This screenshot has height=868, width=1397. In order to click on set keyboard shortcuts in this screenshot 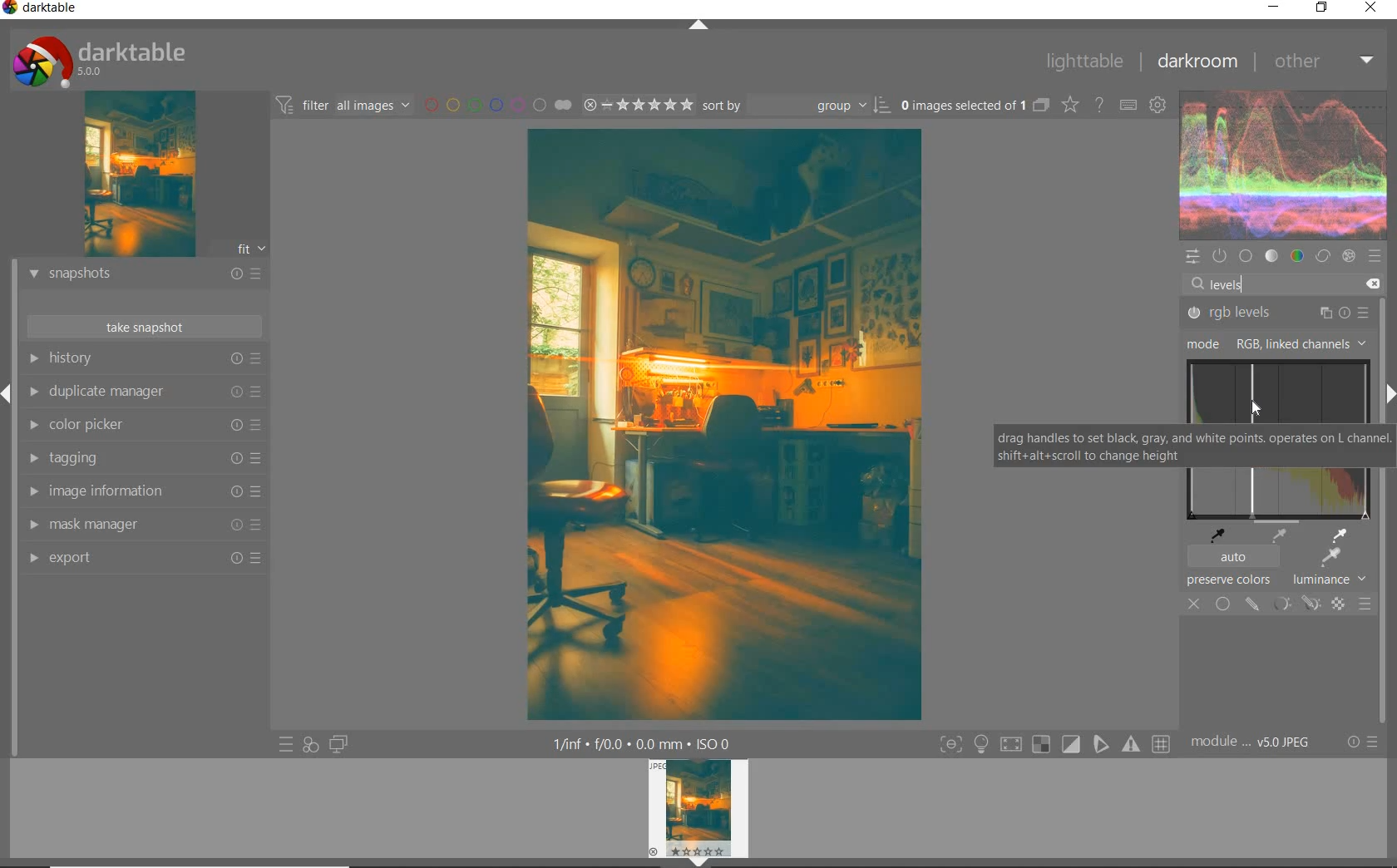, I will do `click(1128, 106)`.